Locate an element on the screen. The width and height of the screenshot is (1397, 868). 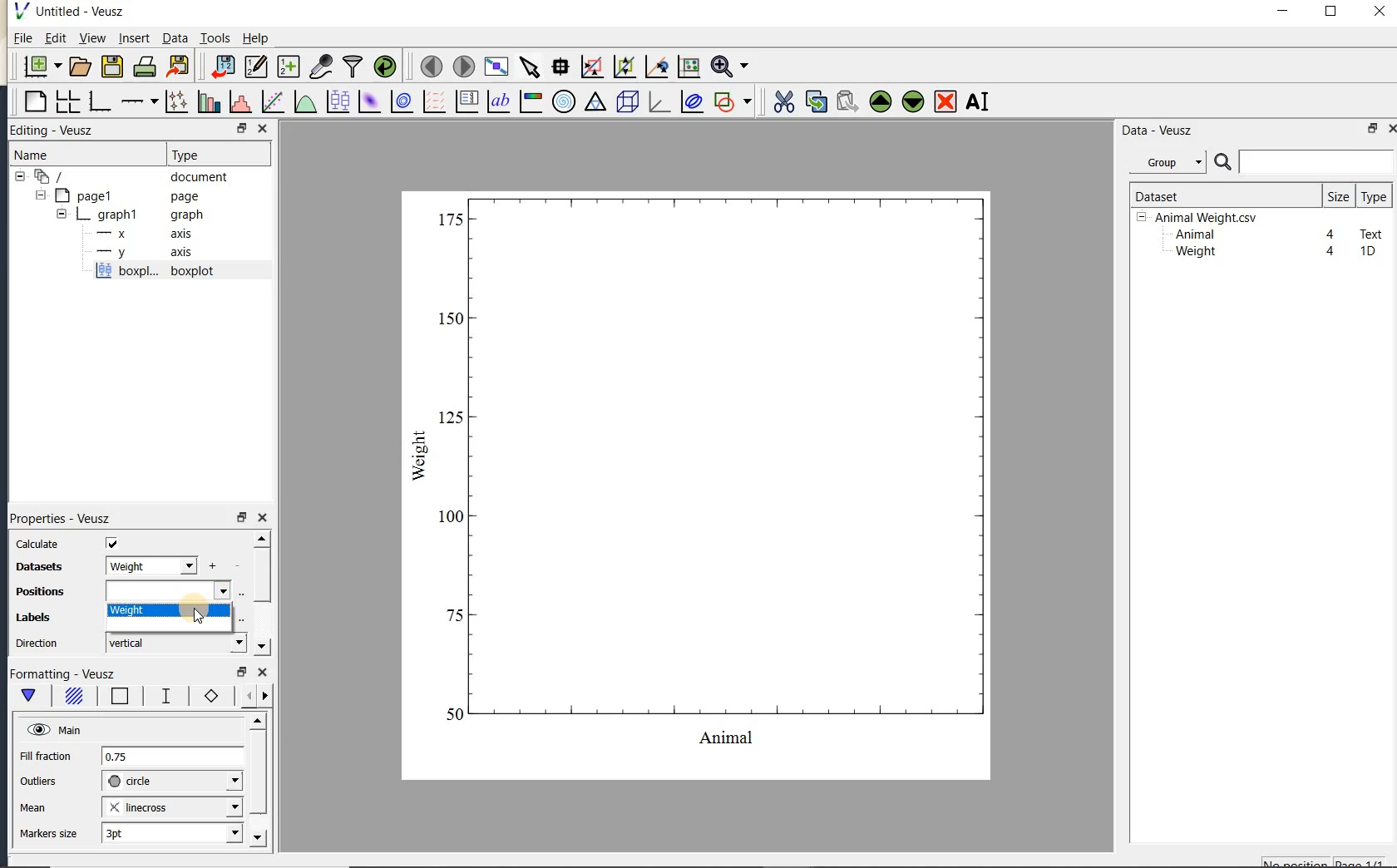
File is located at coordinates (23, 38).